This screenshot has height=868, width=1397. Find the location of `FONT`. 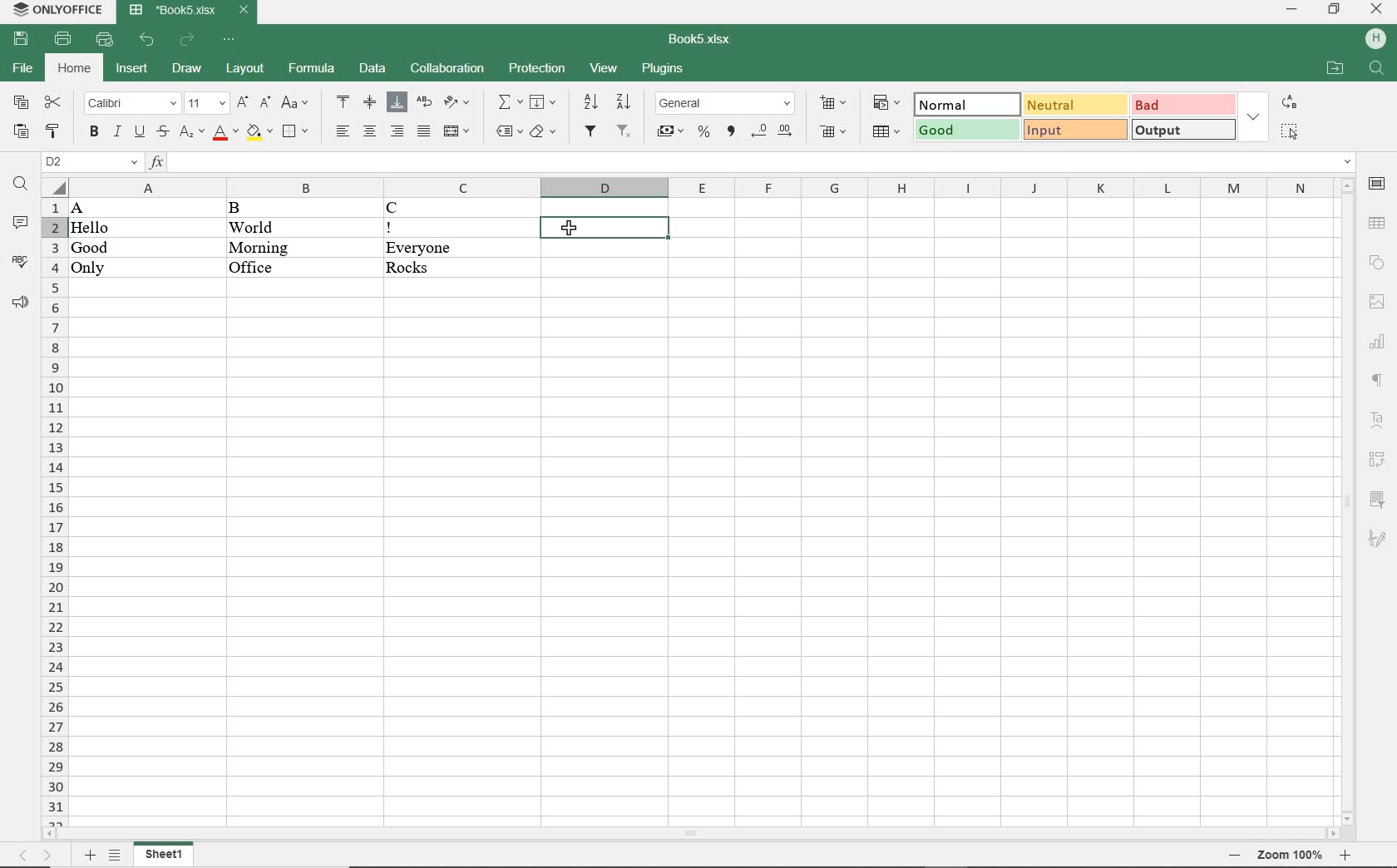

FONT is located at coordinates (131, 103).